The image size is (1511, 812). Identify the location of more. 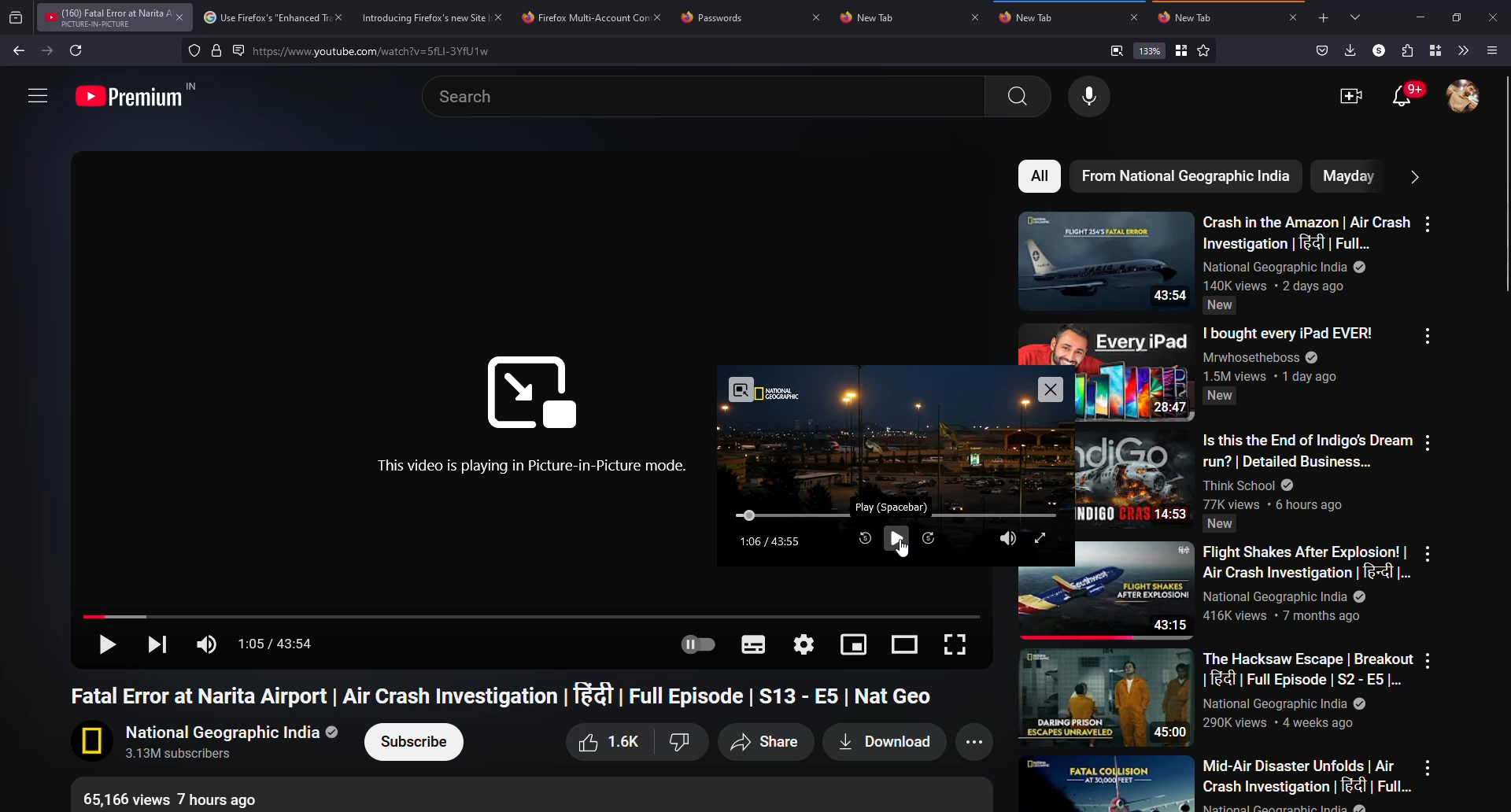
(1428, 336).